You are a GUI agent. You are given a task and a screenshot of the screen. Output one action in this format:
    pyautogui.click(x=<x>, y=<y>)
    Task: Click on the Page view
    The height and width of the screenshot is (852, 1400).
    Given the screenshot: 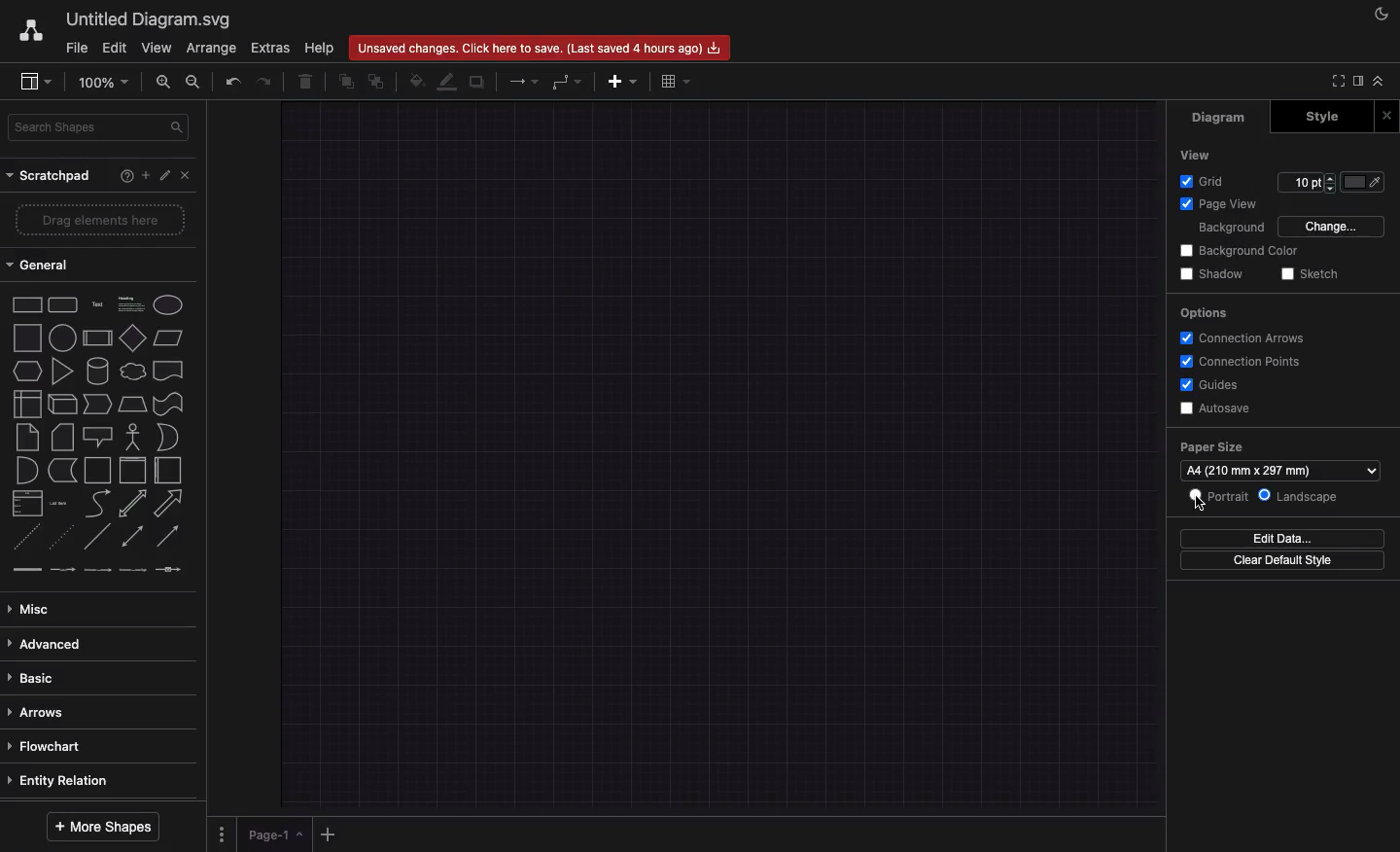 What is the action you would take?
    pyautogui.click(x=1221, y=204)
    